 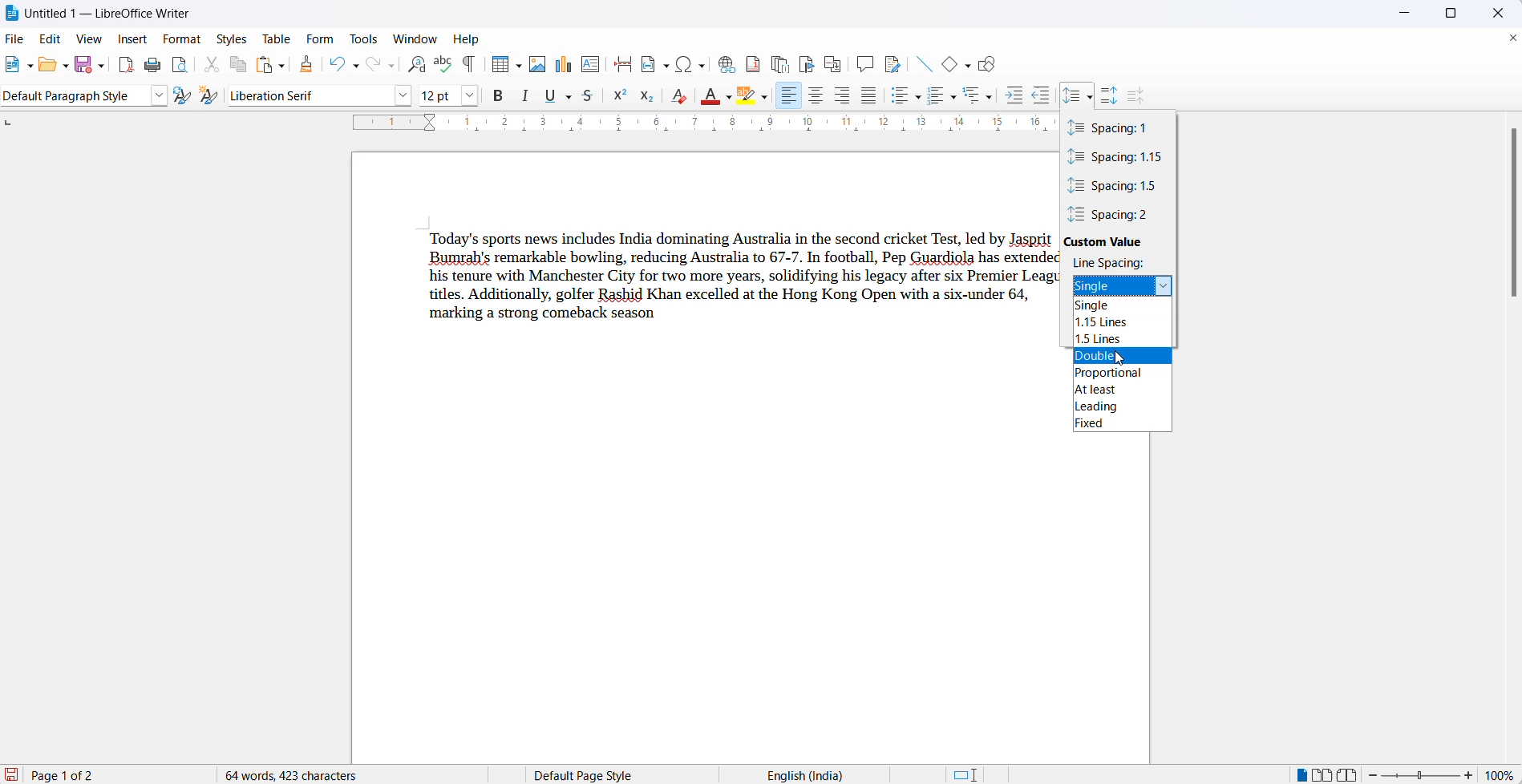 I want to click on 1.15 lines, so click(x=1120, y=323).